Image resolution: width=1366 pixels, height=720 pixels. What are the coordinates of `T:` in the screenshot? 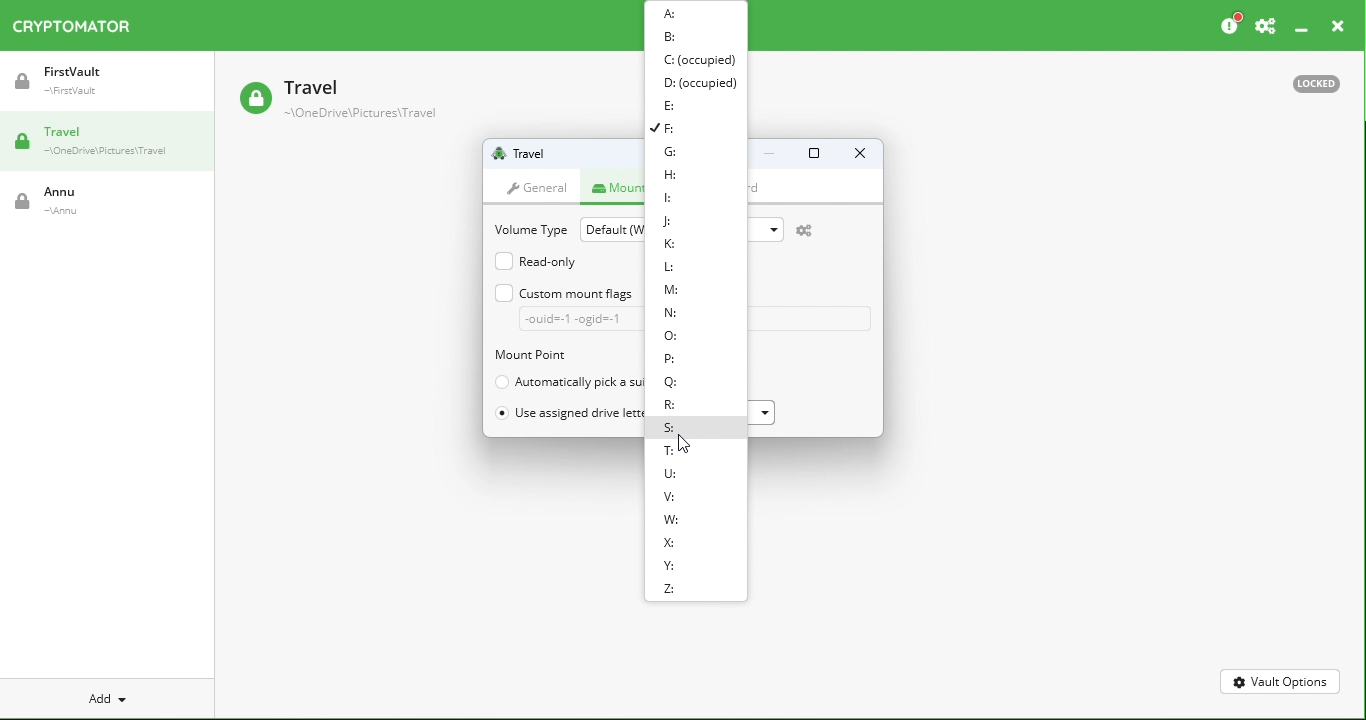 It's located at (669, 451).